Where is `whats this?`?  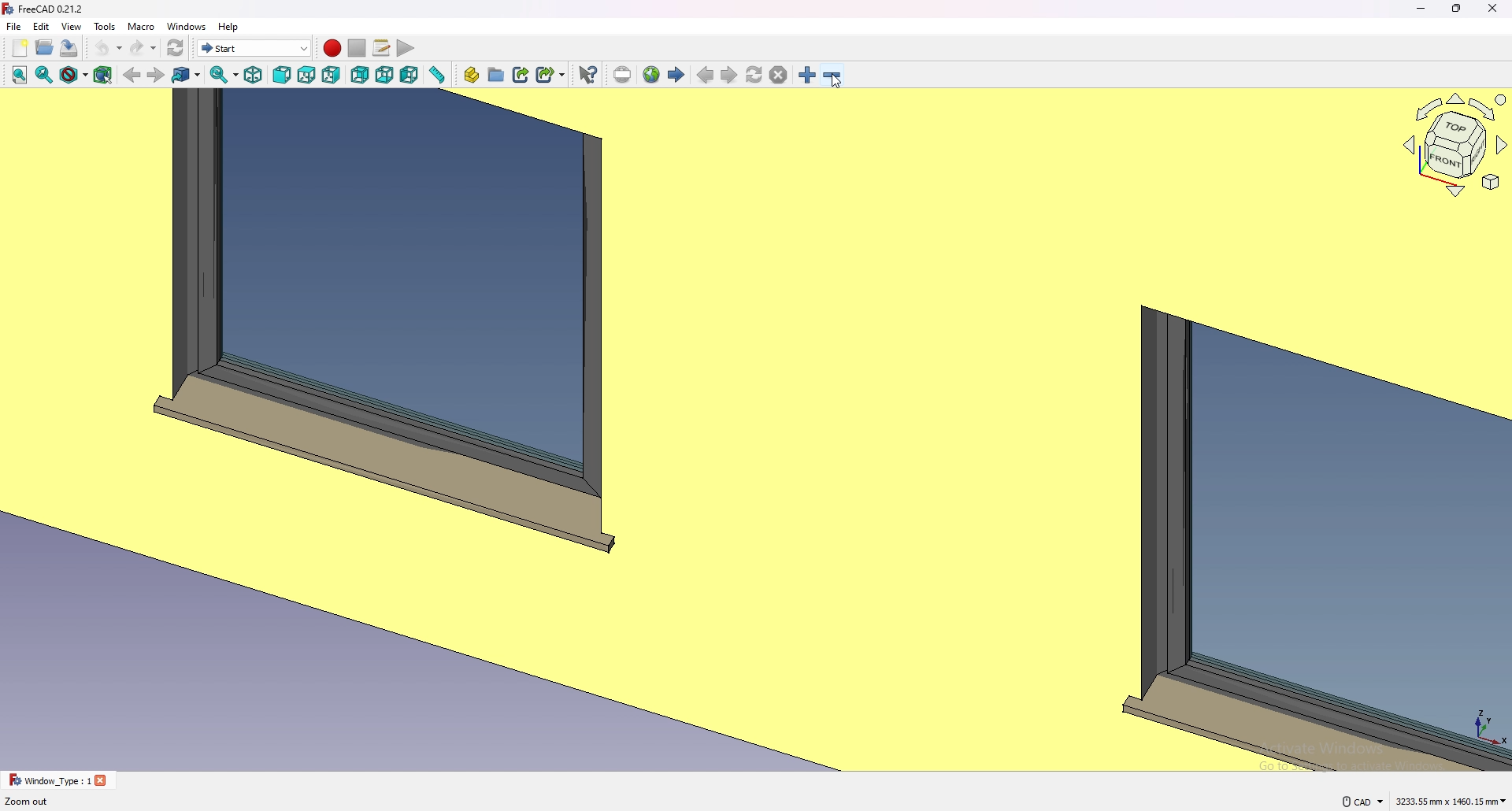 whats this? is located at coordinates (587, 74).